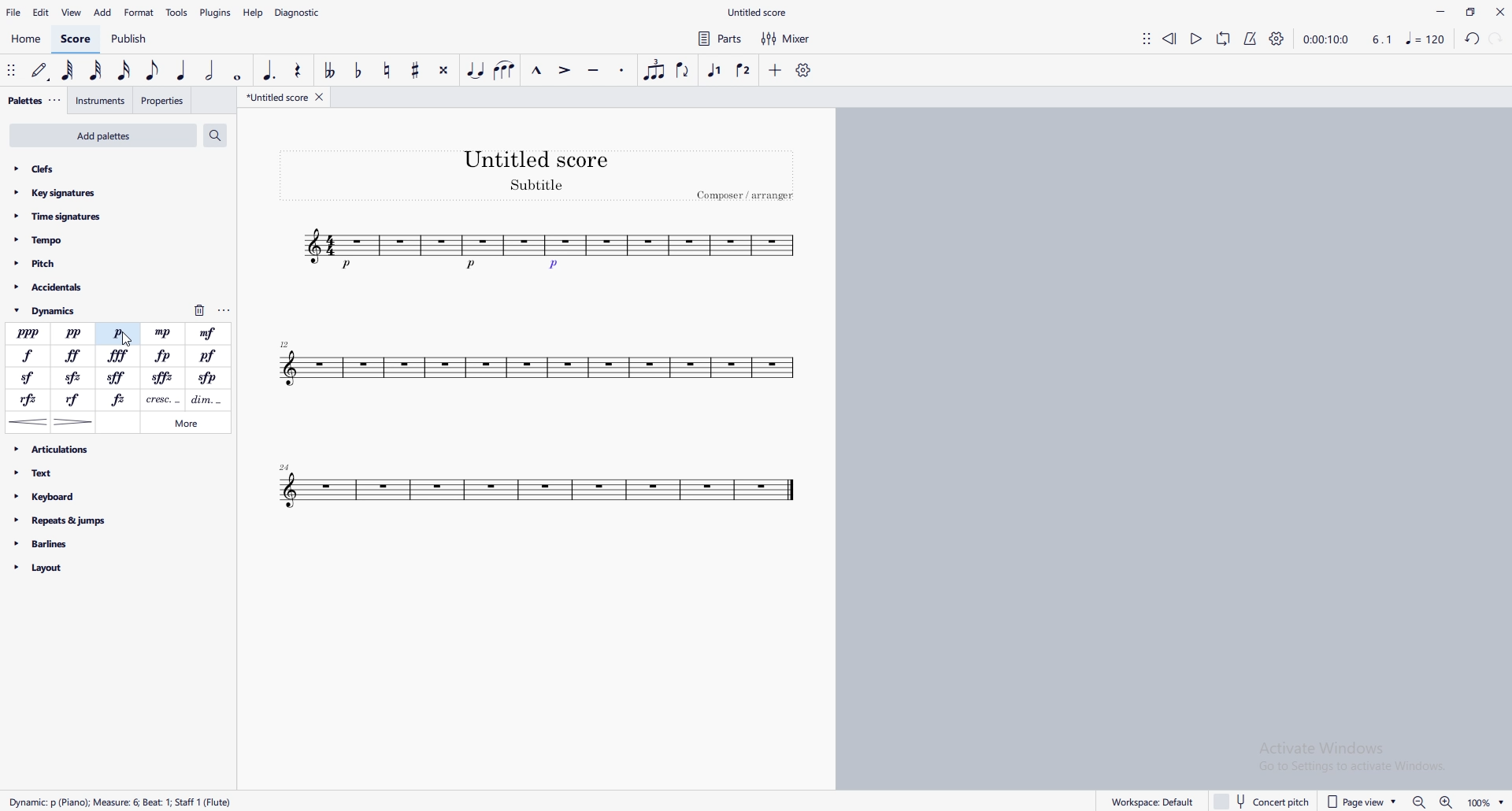 This screenshot has height=811, width=1512. What do you see at coordinates (176, 13) in the screenshot?
I see `tools` at bounding box center [176, 13].